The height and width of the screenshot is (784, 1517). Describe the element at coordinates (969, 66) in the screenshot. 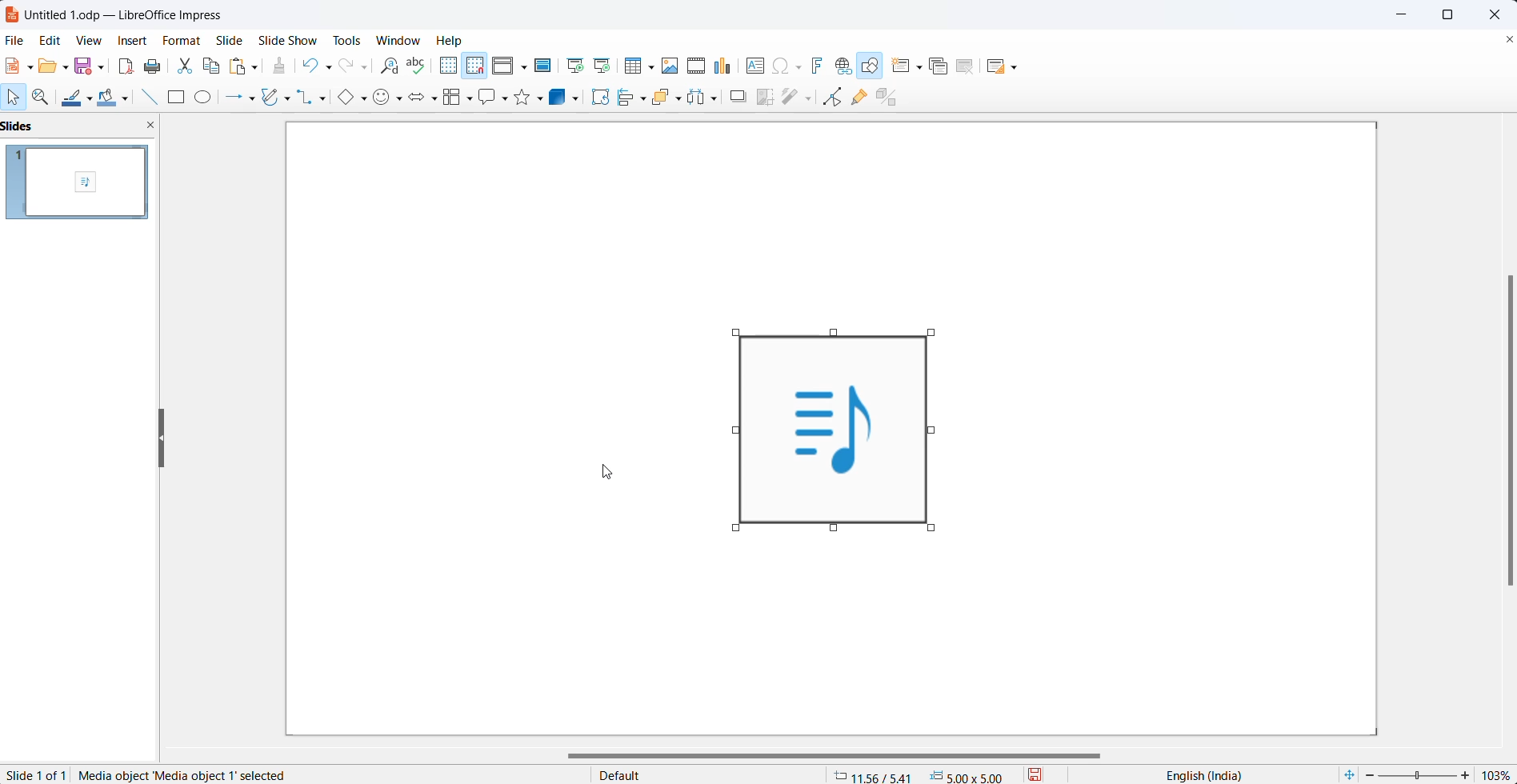

I see `delete slide` at that location.